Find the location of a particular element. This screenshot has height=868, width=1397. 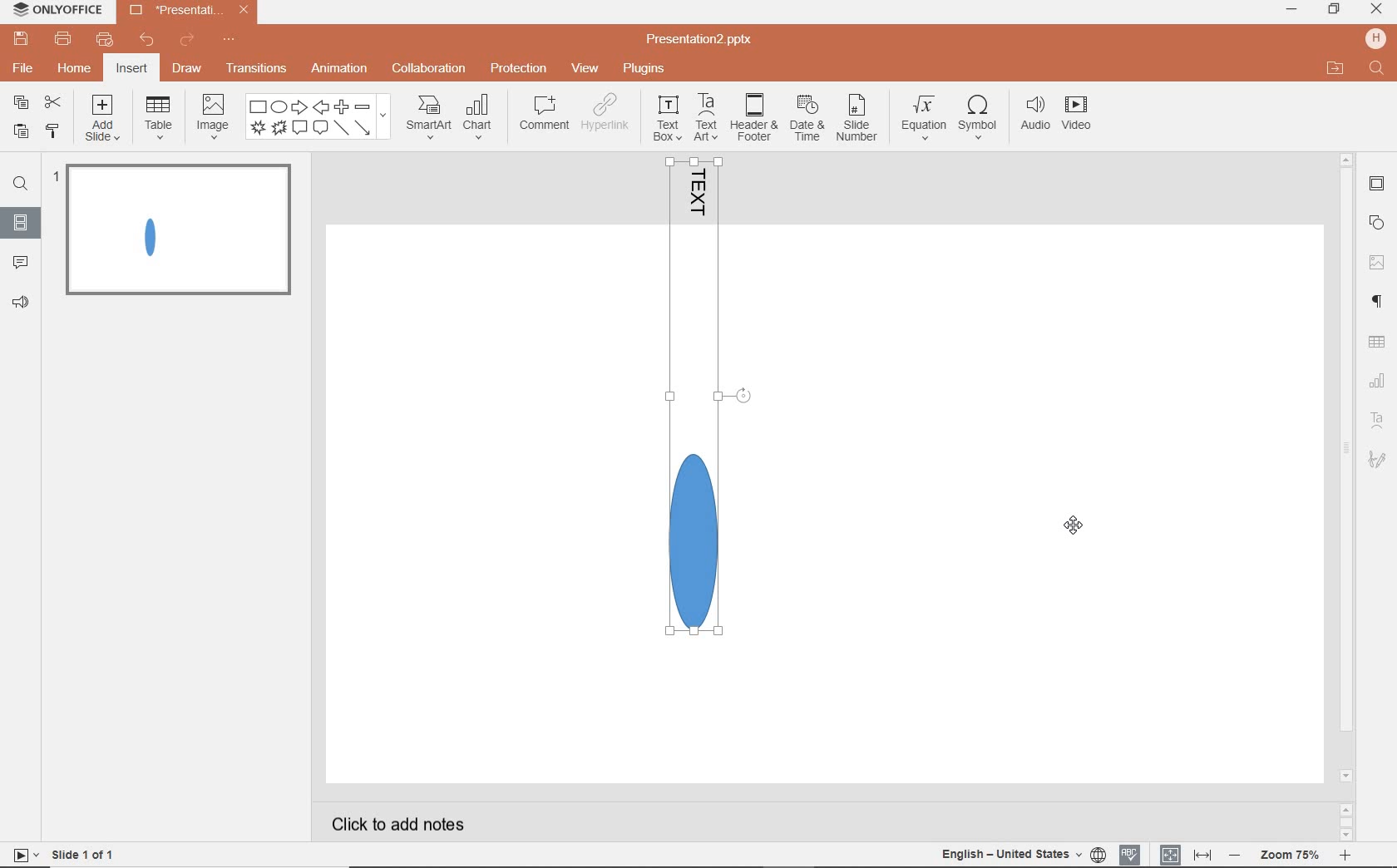

textbox is located at coordinates (665, 119).